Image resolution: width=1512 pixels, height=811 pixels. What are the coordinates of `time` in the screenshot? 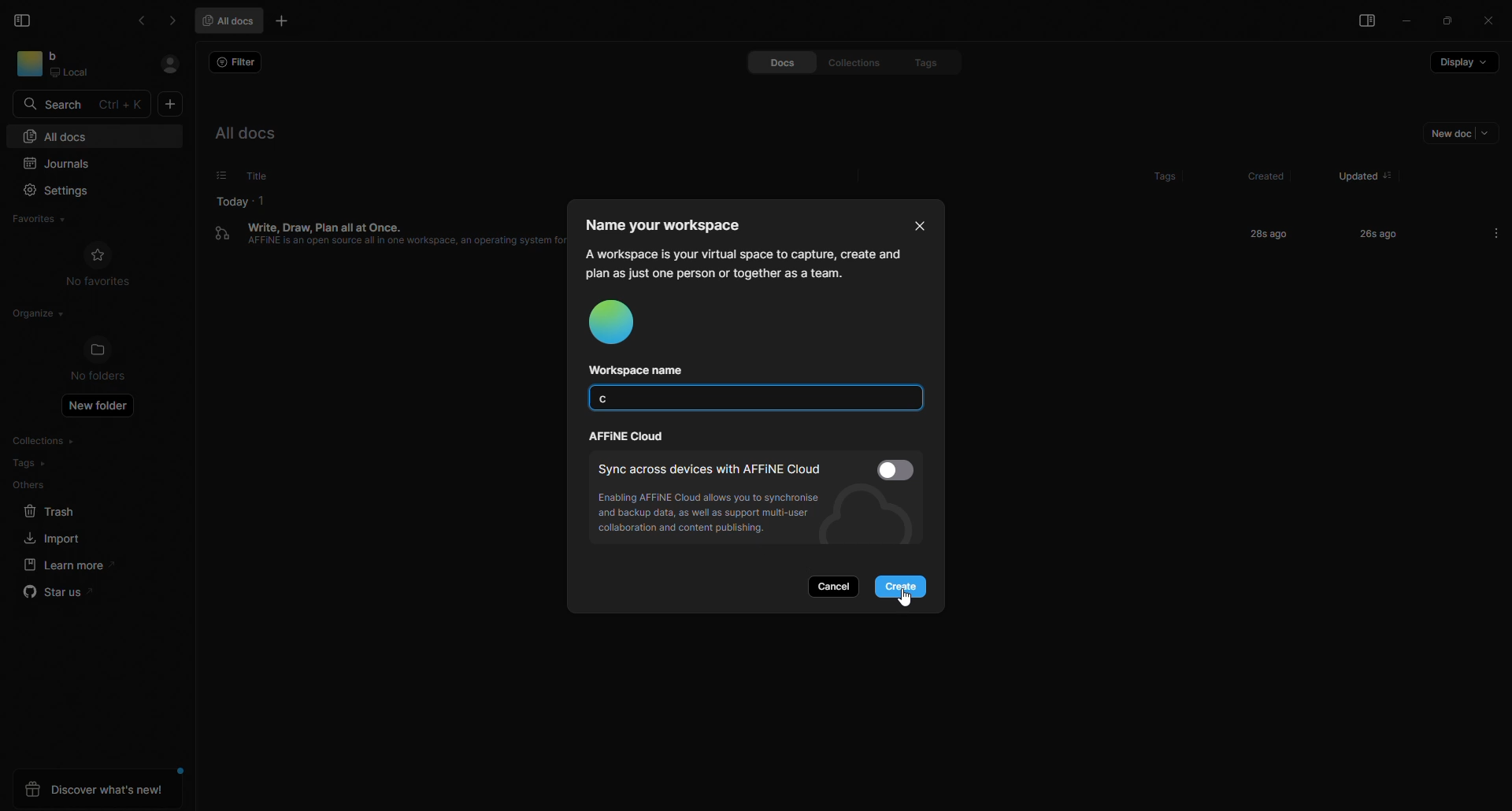 It's located at (1366, 233).